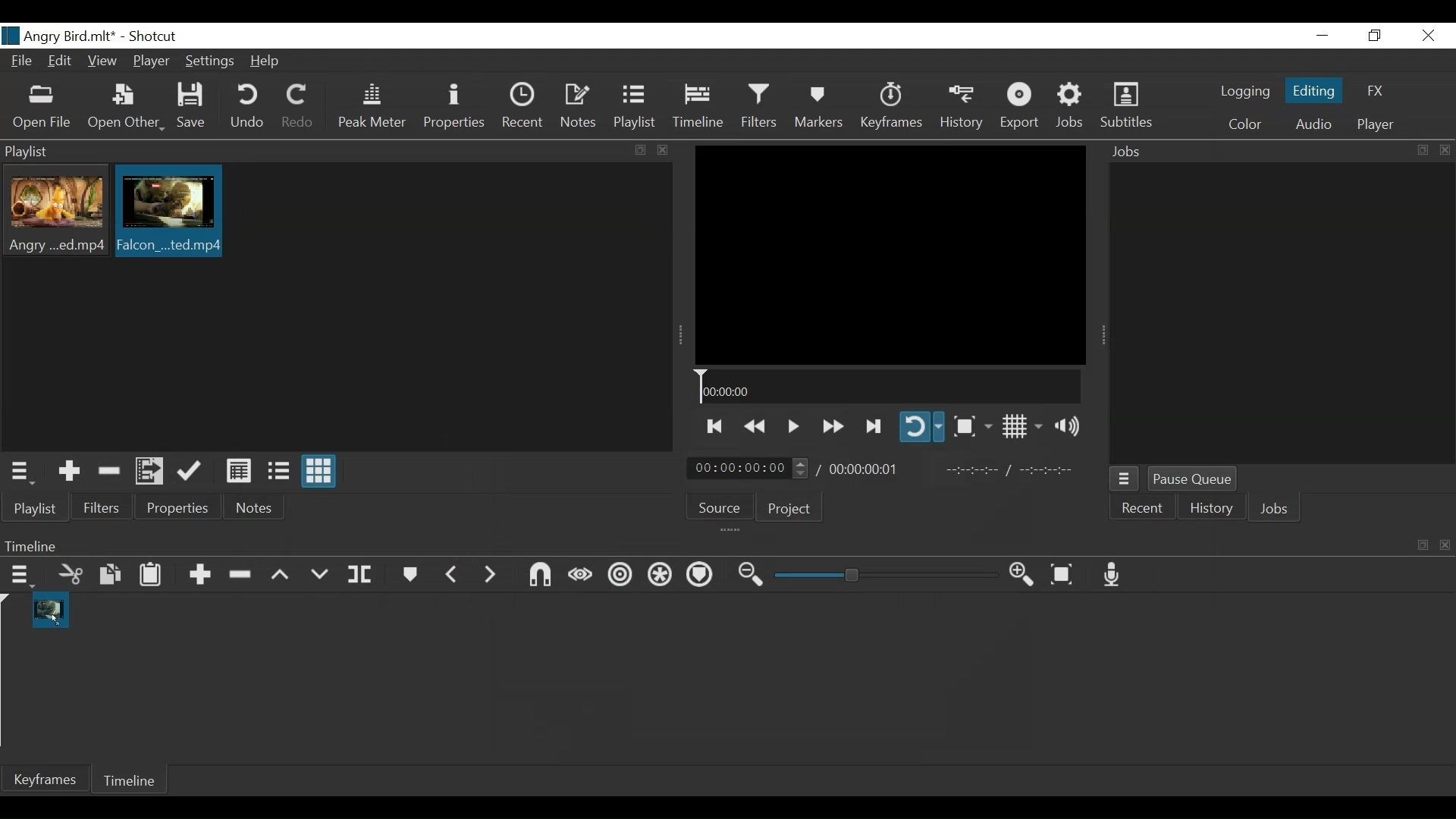 This screenshot has width=1456, height=819. Describe the element at coordinates (71, 576) in the screenshot. I see `Cut` at that location.